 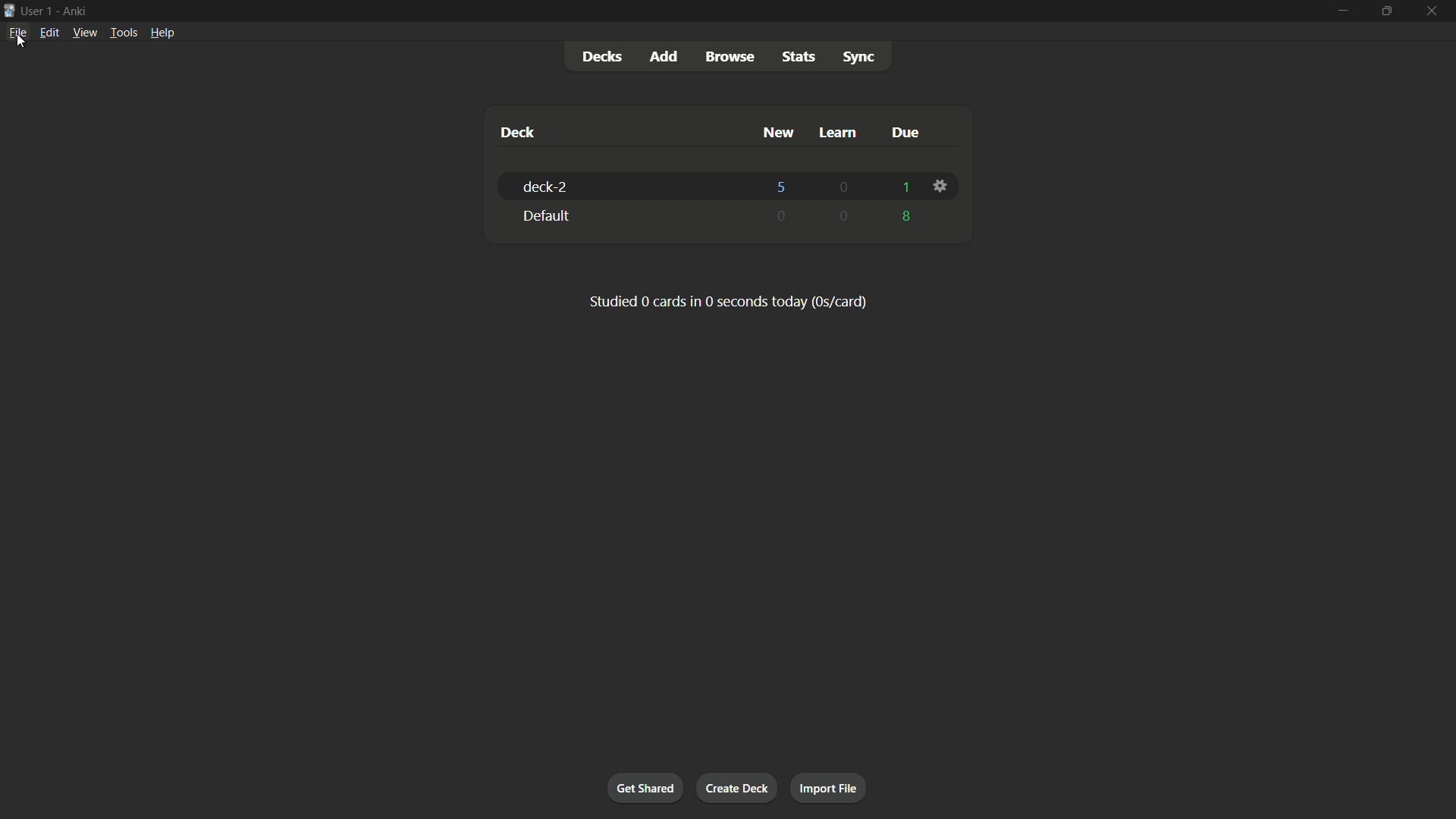 I want to click on Sync, so click(x=859, y=57).